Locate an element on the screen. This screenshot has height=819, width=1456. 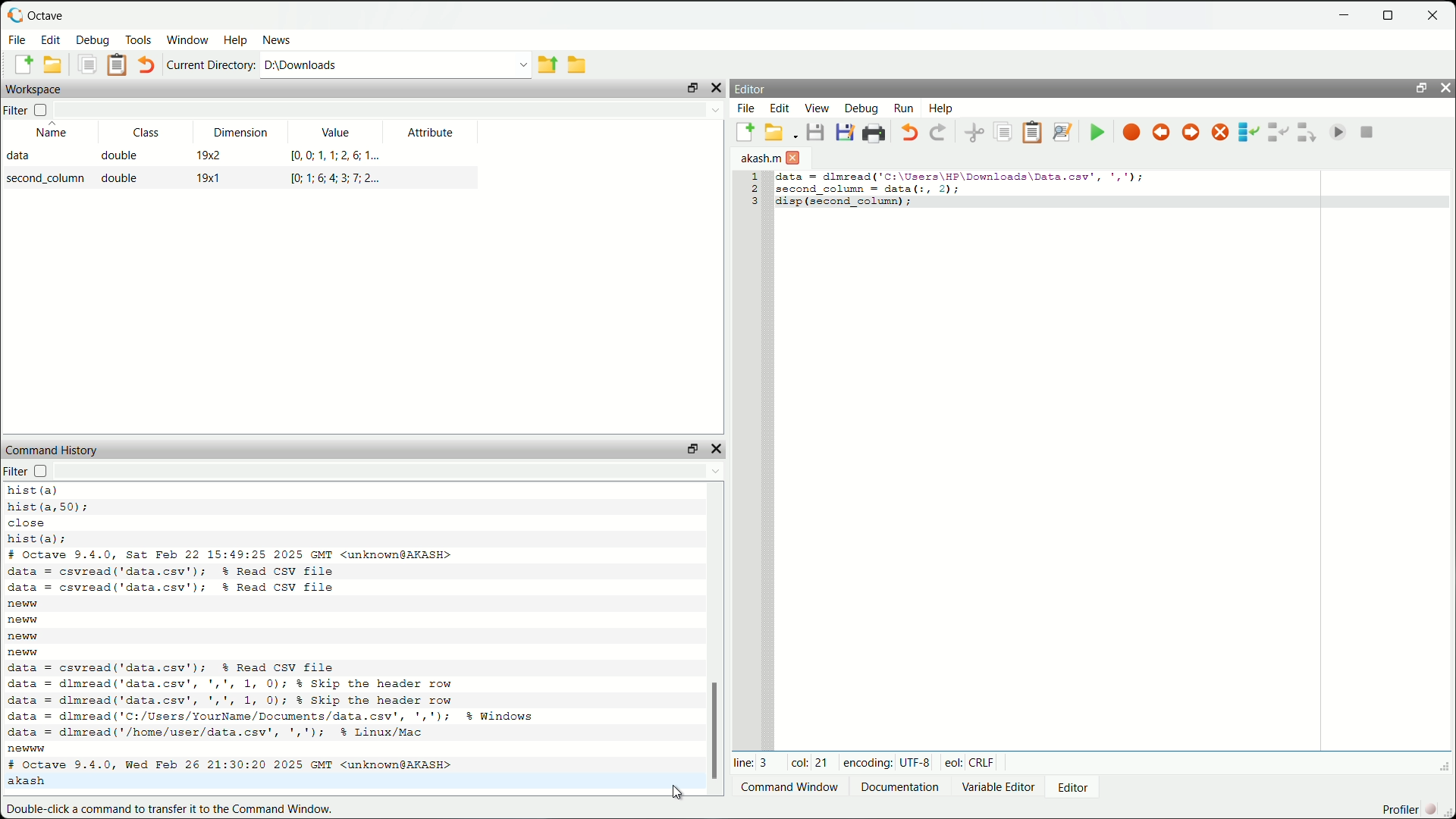
attribute is located at coordinates (431, 133).